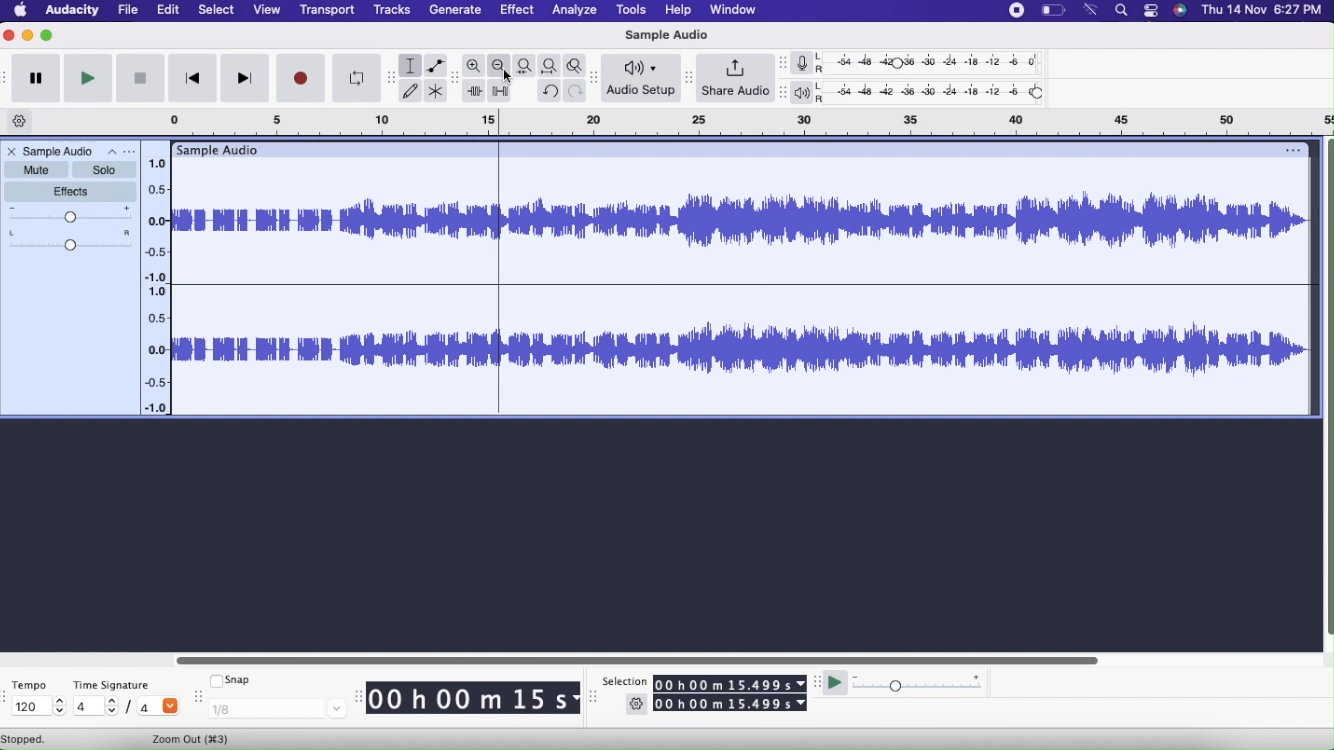  What do you see at coordinates (71, 216) in the screenshot?
I see `Gain Slider` at bounding box center [71, 216].